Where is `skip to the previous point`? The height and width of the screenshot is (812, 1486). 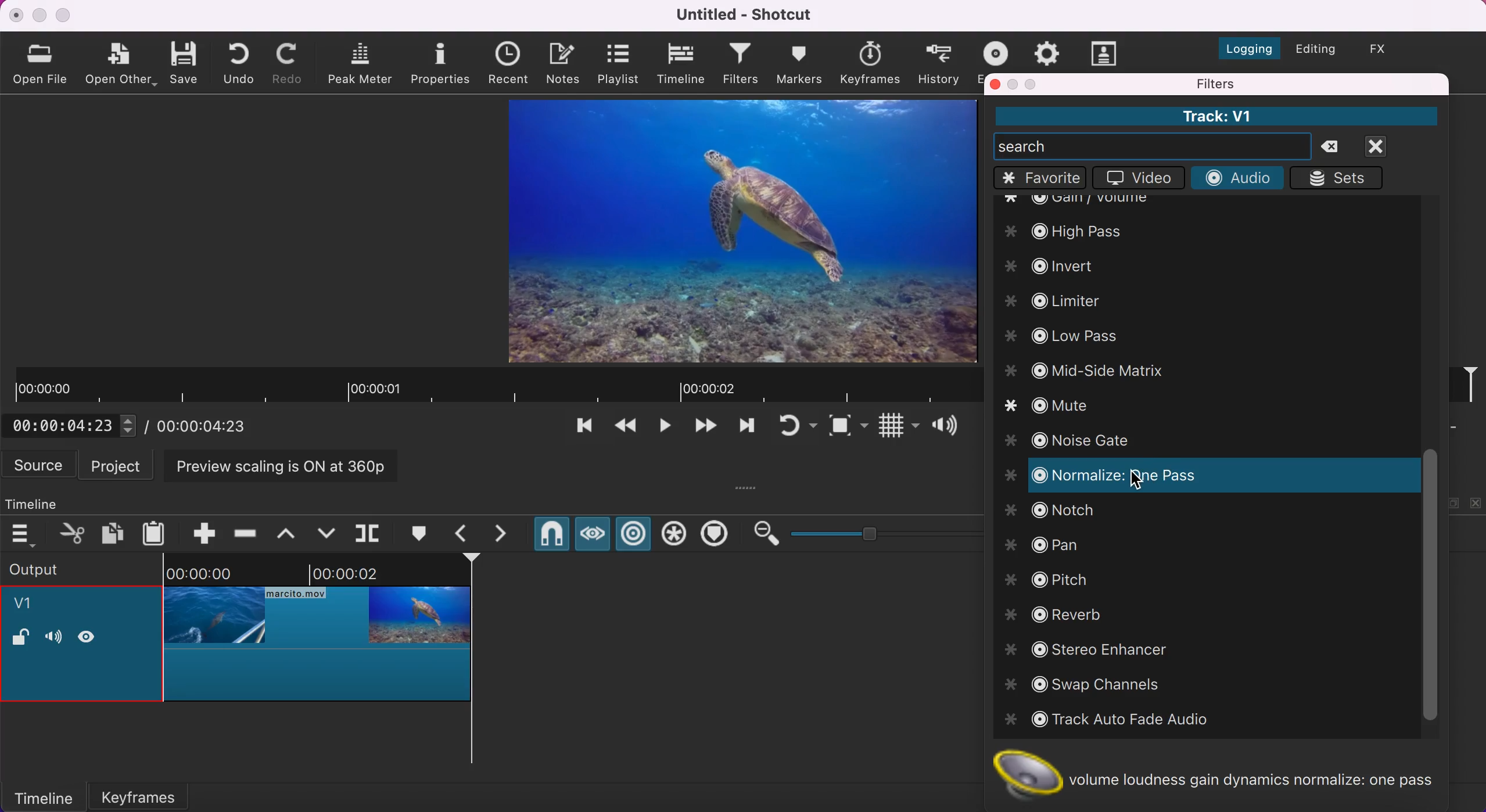
skip to the previous point is located at coordinates (580, 429).